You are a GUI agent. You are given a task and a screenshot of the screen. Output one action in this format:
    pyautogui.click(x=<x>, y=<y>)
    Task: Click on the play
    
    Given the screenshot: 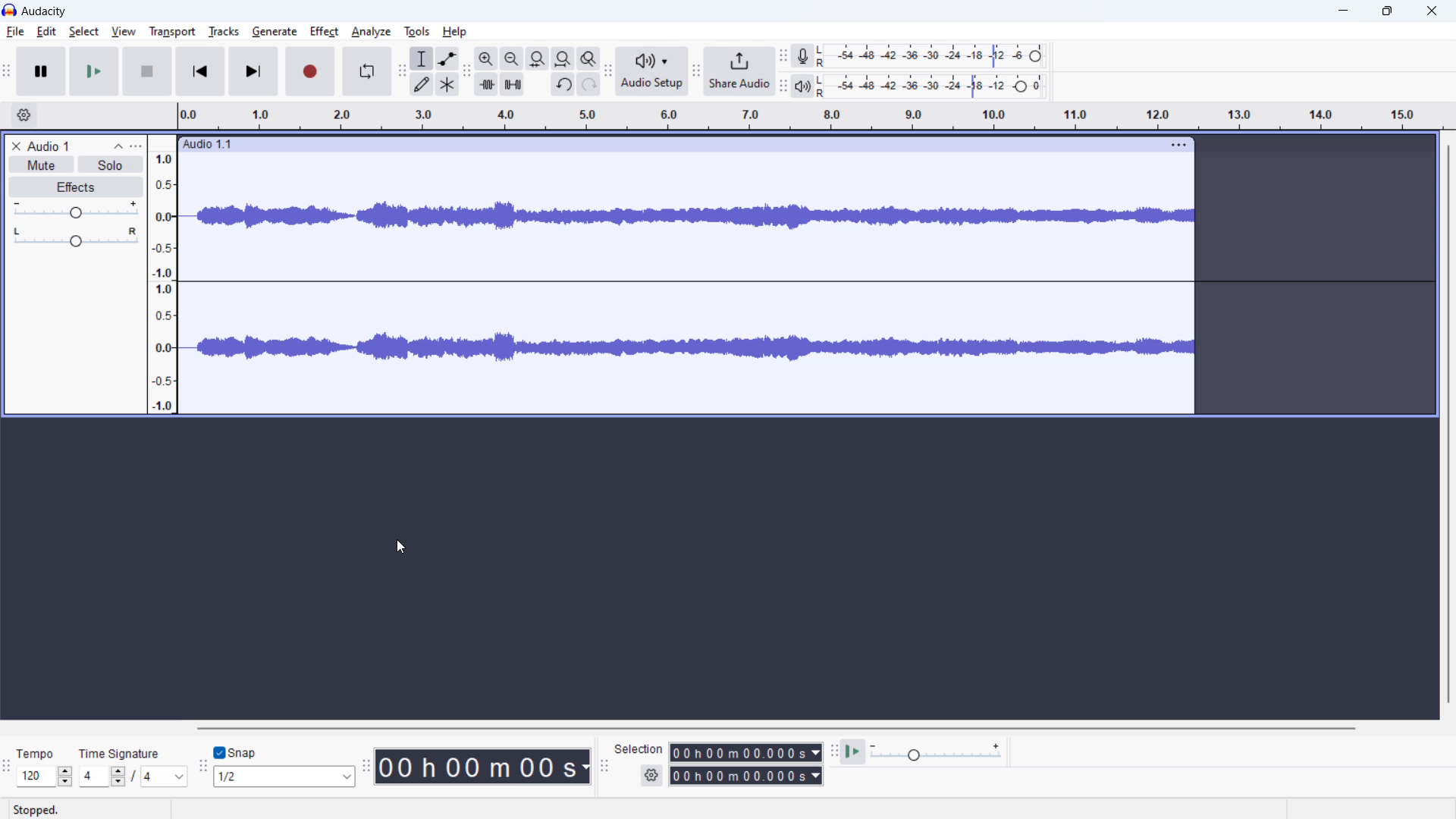 What is the action you would take?
    pyautogui.click(x=94, y=71)
    